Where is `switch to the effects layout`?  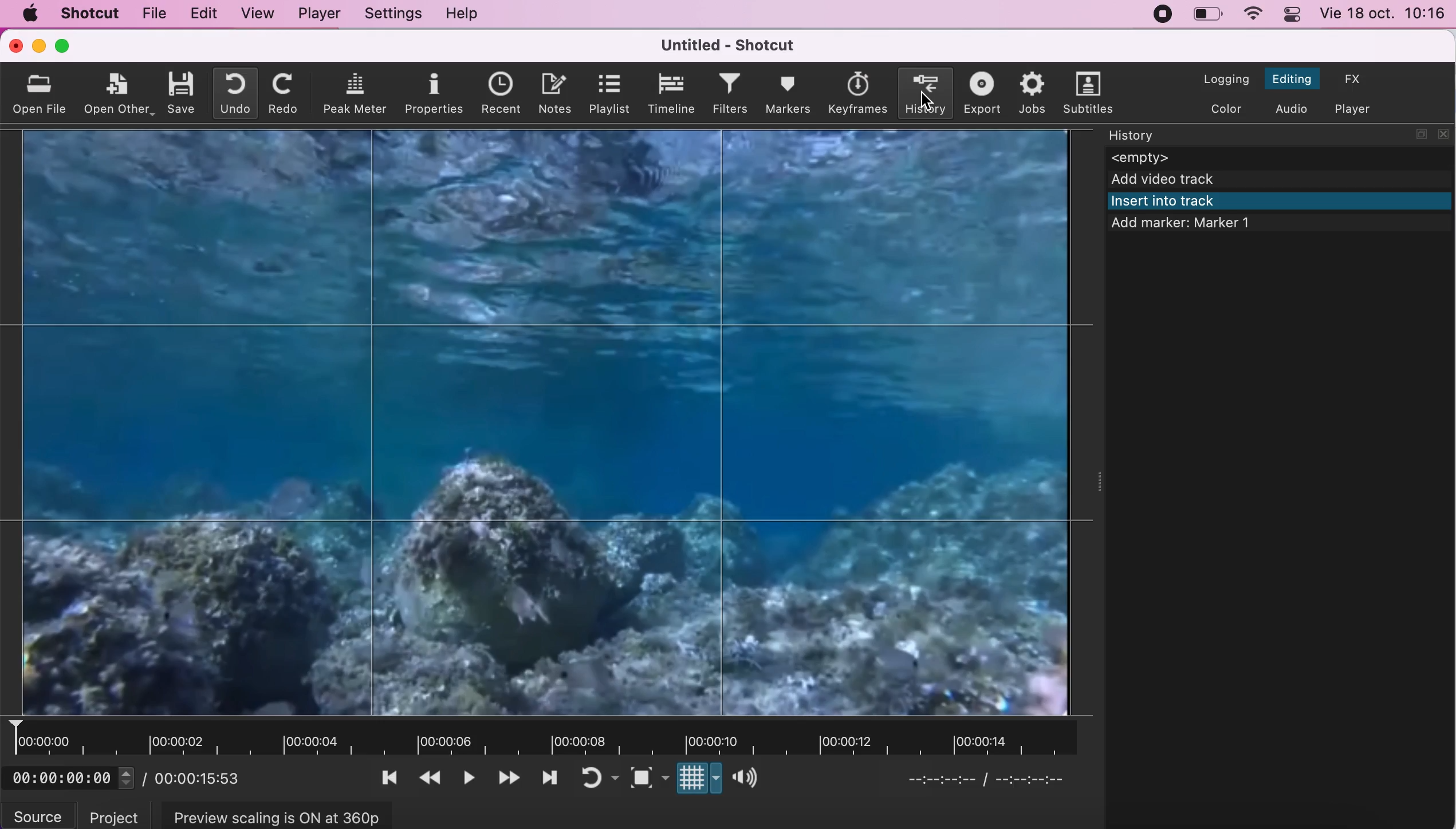 switch to the effects layout is located at coordinates (1355, 80).